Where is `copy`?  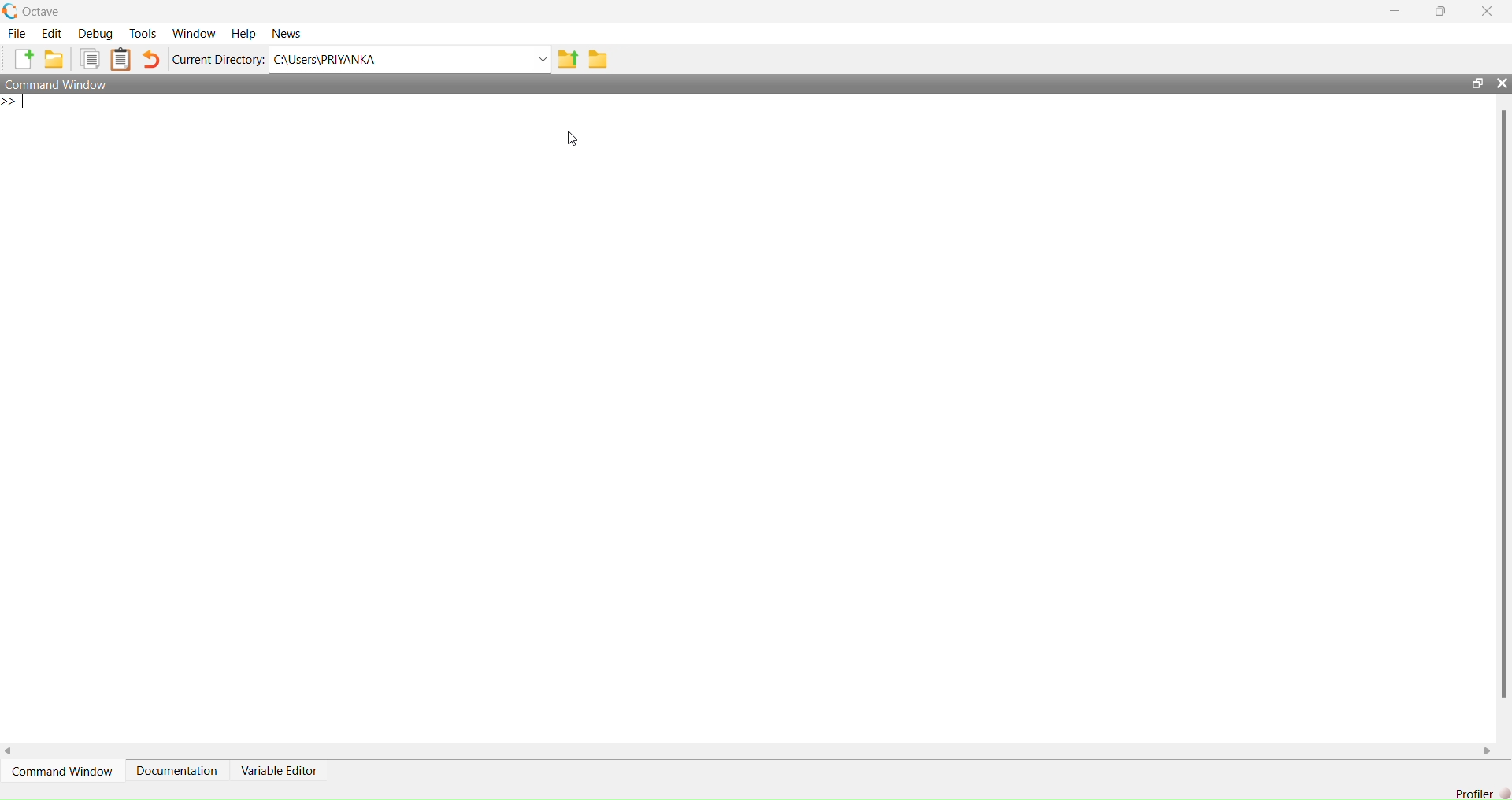
copy is located at coordinates (90, 59).